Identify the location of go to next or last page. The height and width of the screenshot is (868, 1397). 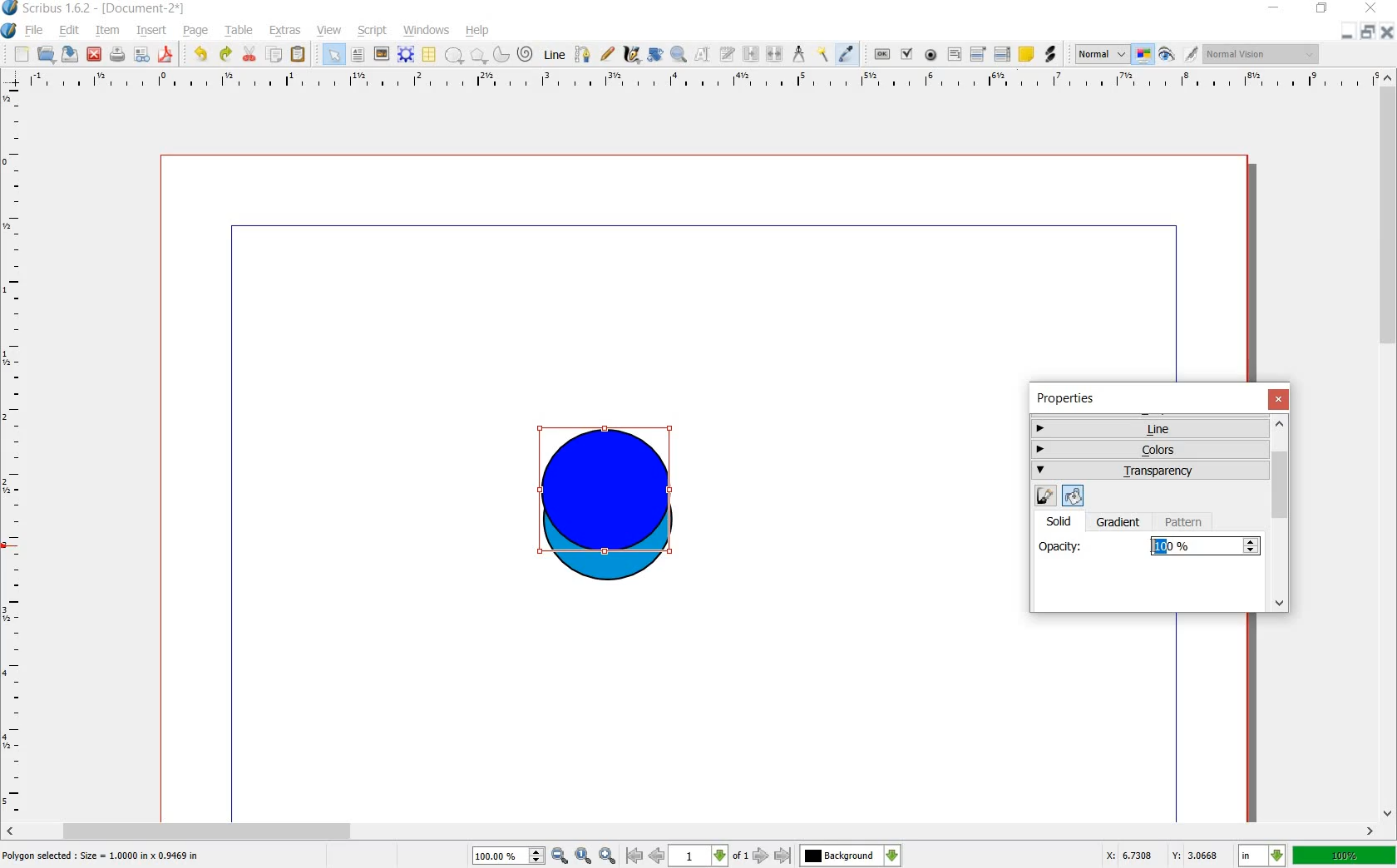
(773, 856).